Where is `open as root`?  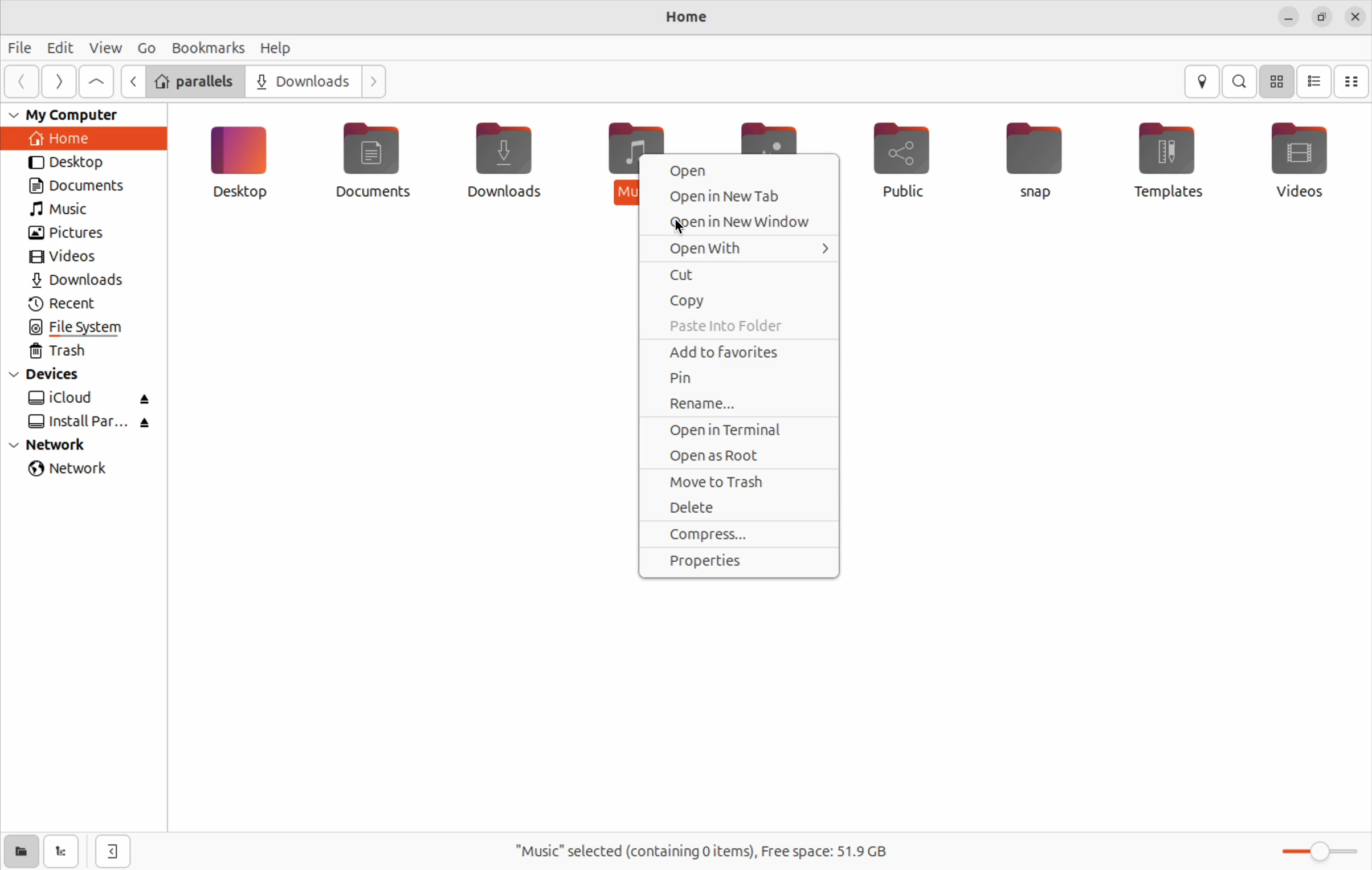
open as root is located at coordinates (734, 457).